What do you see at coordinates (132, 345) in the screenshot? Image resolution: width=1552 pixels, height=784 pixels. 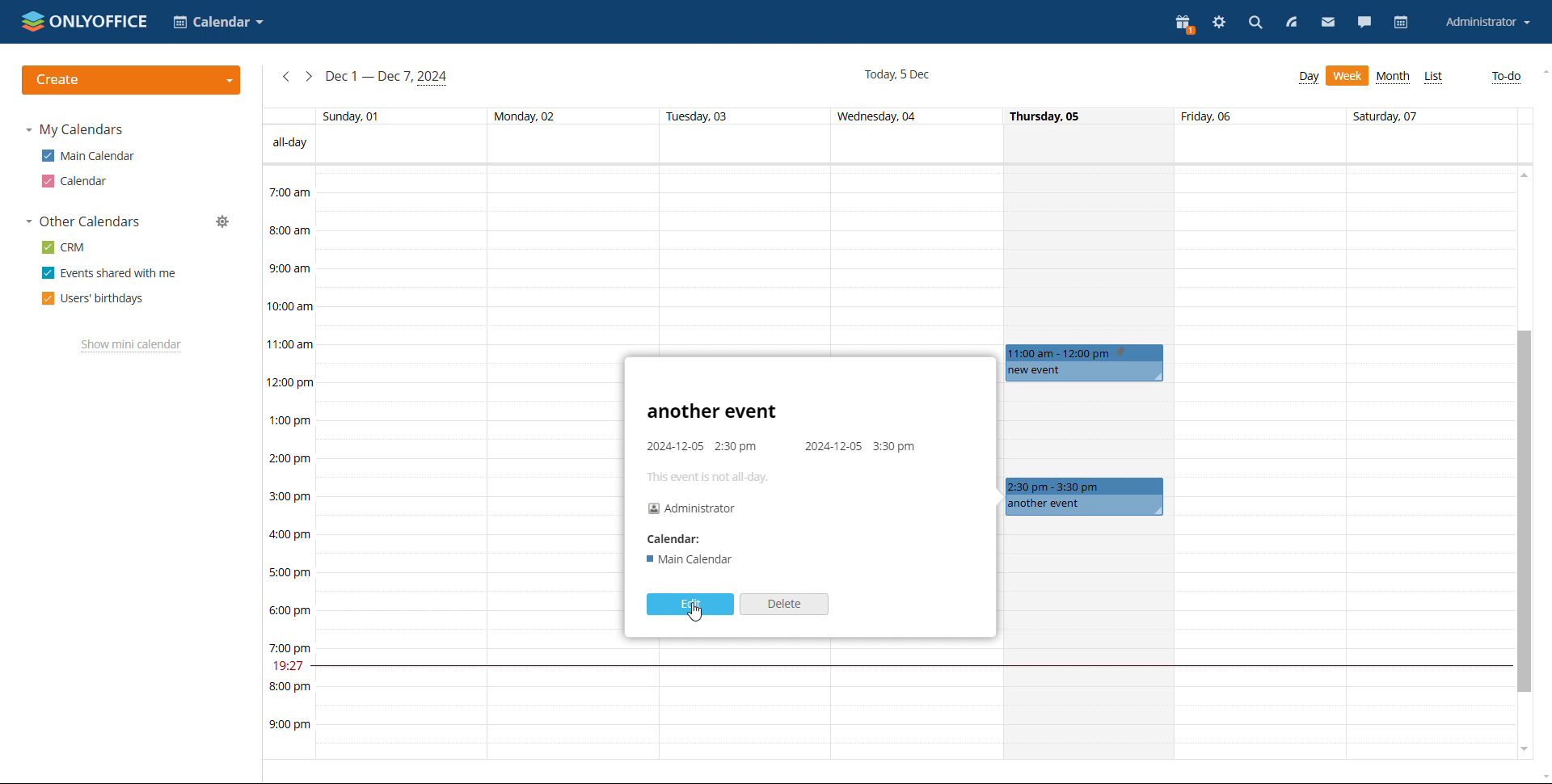 I see `show mini calendar` at bounding box center [132, 345].